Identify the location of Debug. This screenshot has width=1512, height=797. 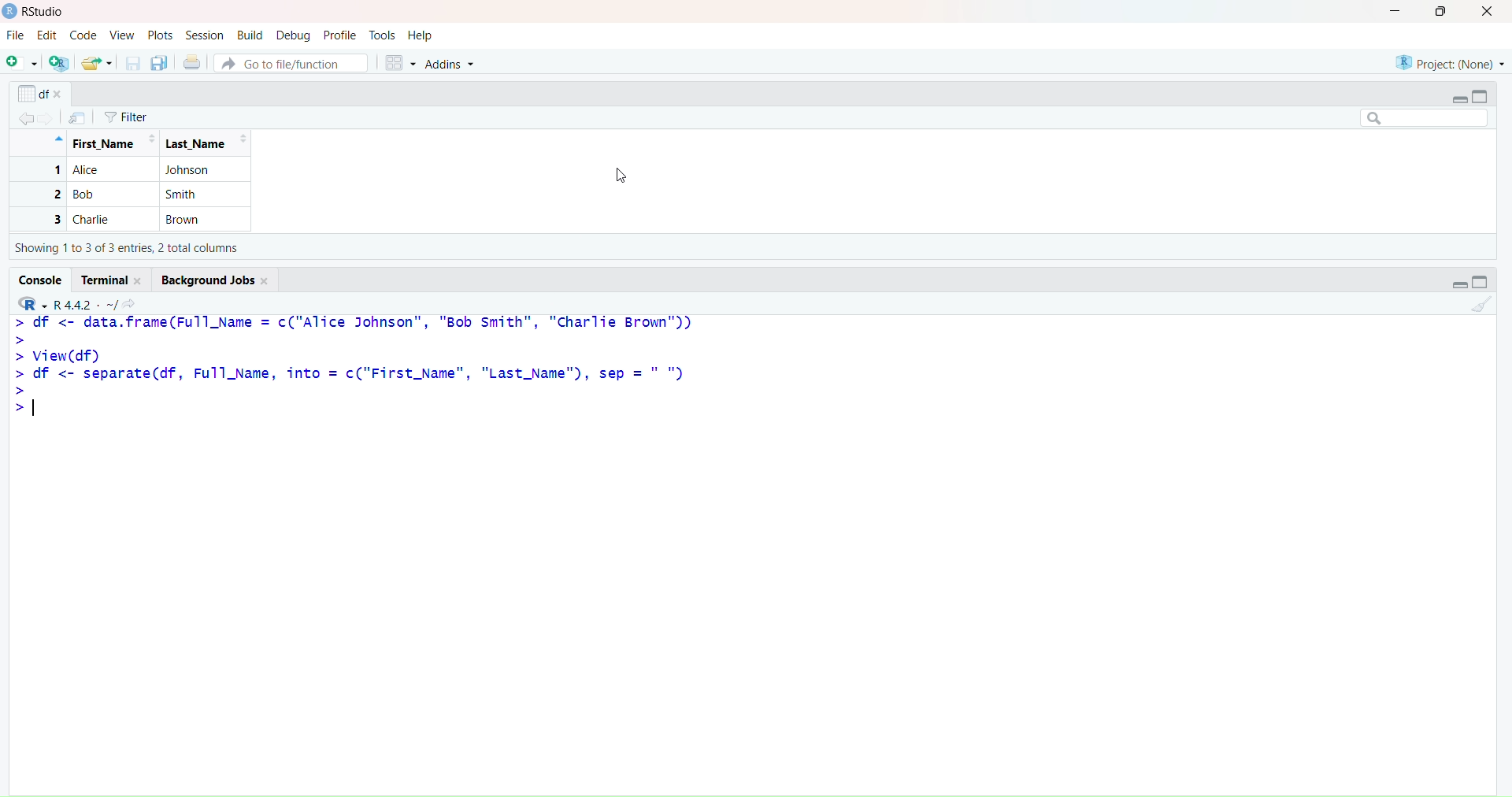
(293, 35).